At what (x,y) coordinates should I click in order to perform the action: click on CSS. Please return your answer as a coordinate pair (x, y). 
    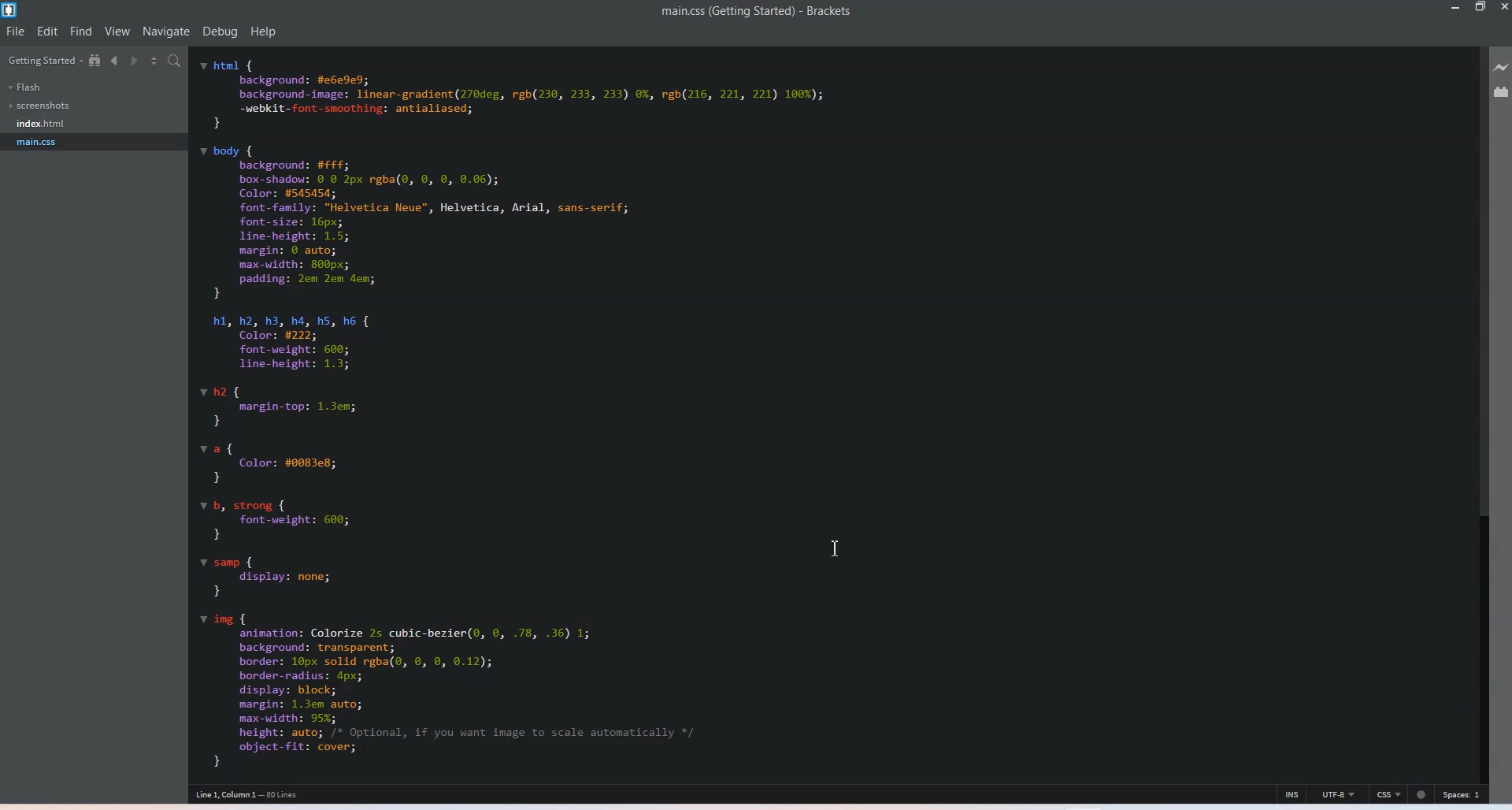
    Looking at the image, I should click on (1390, 794).